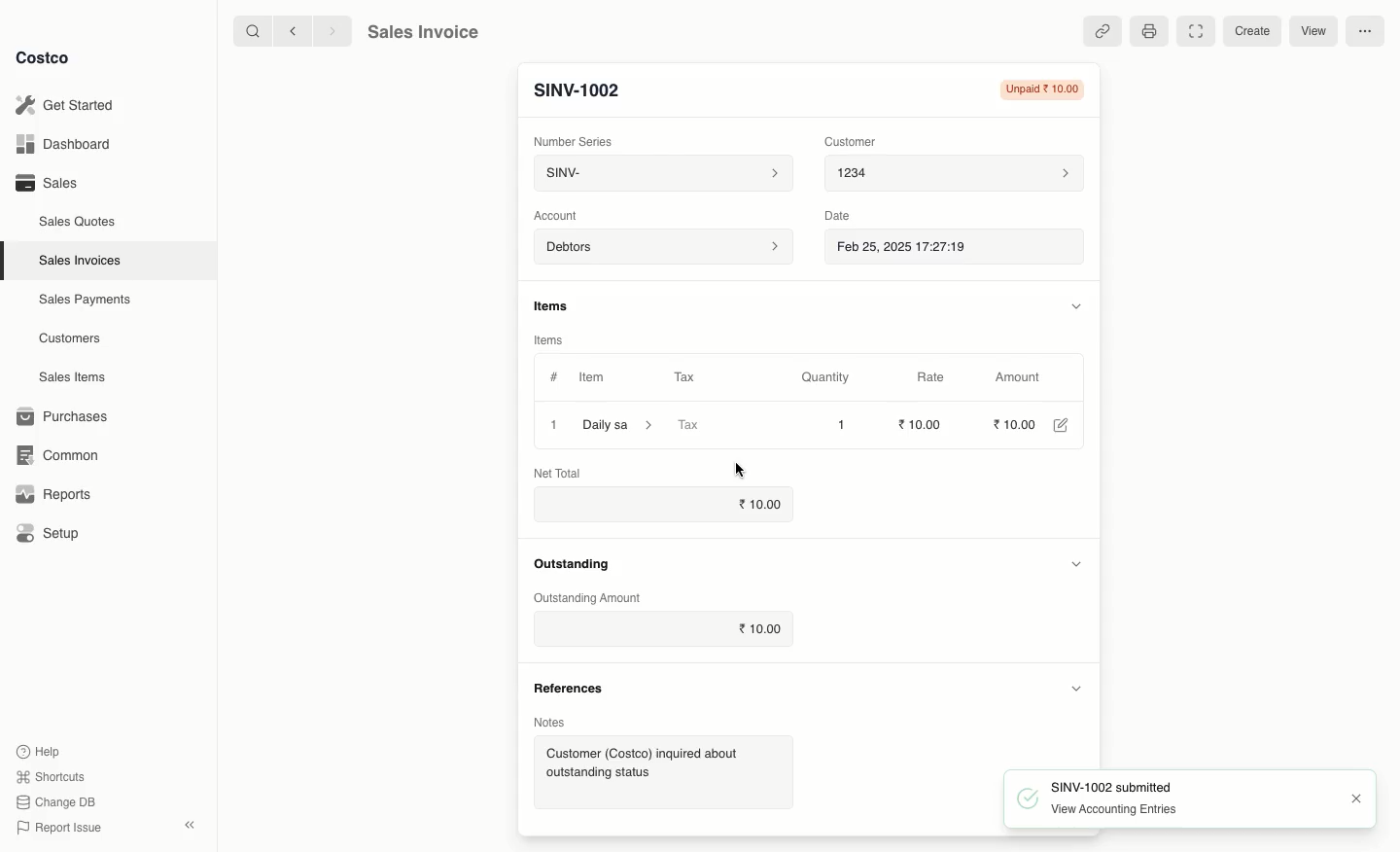 This screenshot has width=1400, height=852. Describe the element at coordinates (1358, 797) in the screenshot. I see `Close` at that location.